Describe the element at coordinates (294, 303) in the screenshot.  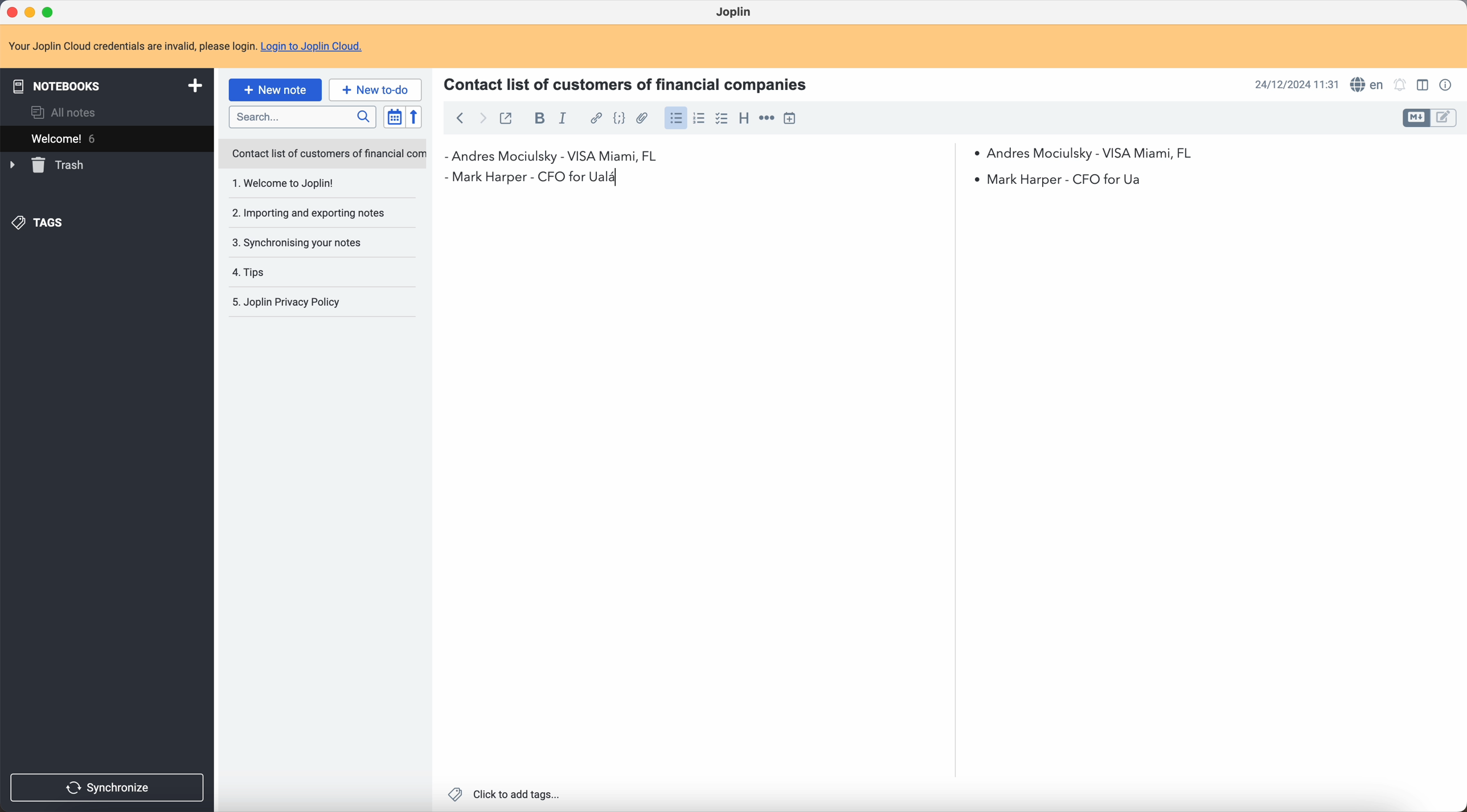
I see `5. Joplin Privacy Policy` at that location.